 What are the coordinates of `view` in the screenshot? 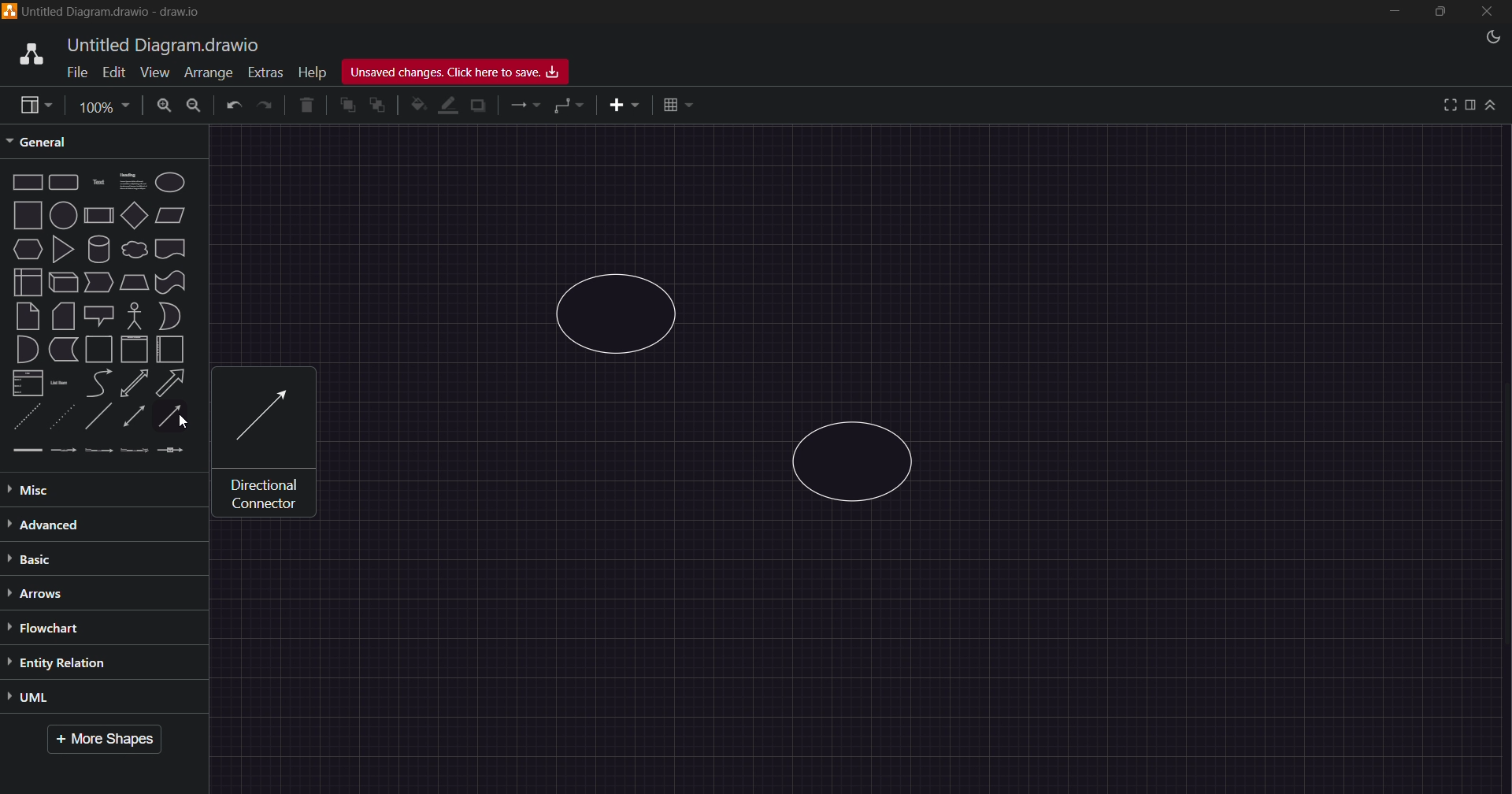 It's located at (31, 105).